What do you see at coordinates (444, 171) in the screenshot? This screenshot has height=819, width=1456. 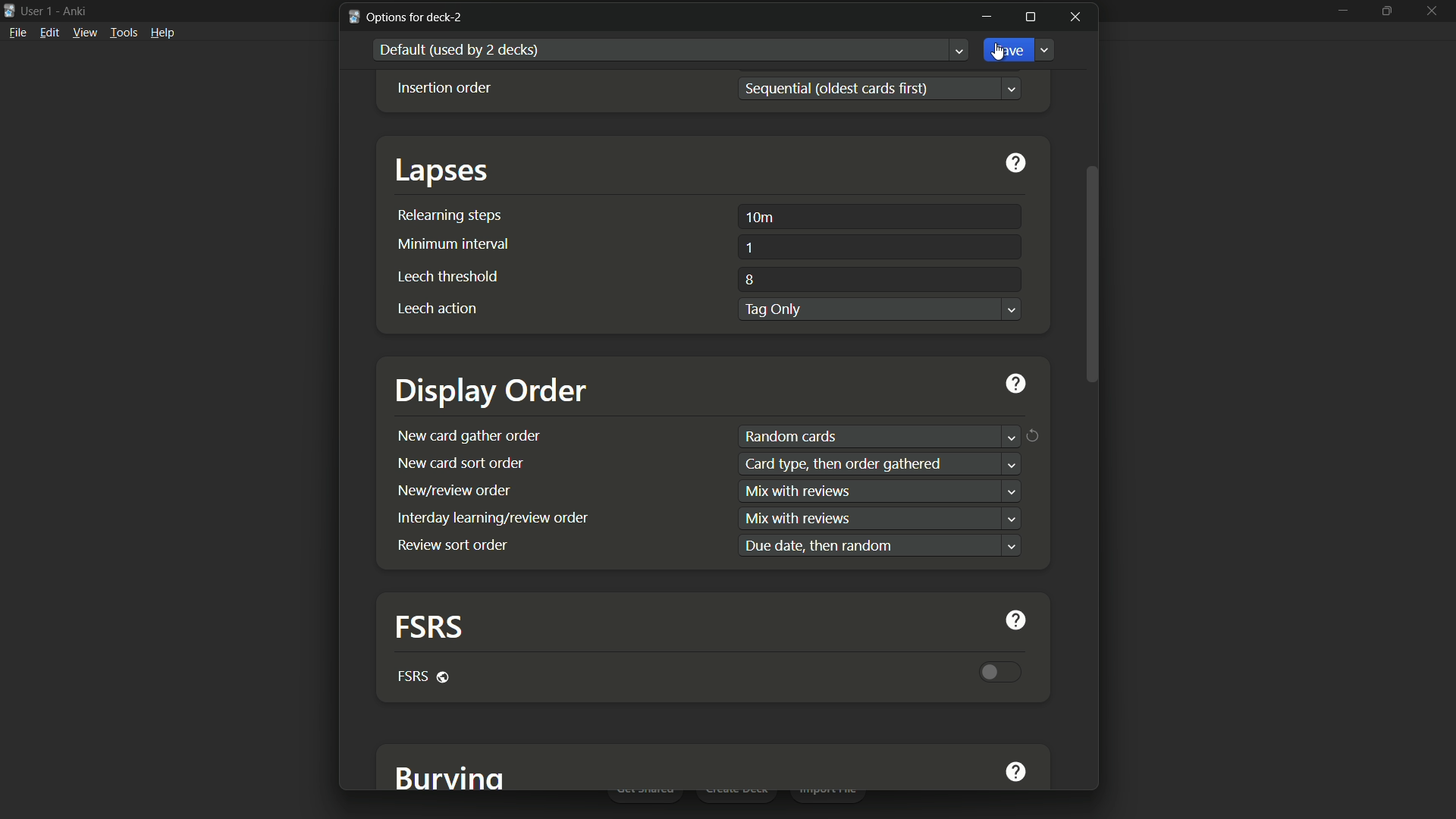 I see `lapses` at bounding box center [444, 171].